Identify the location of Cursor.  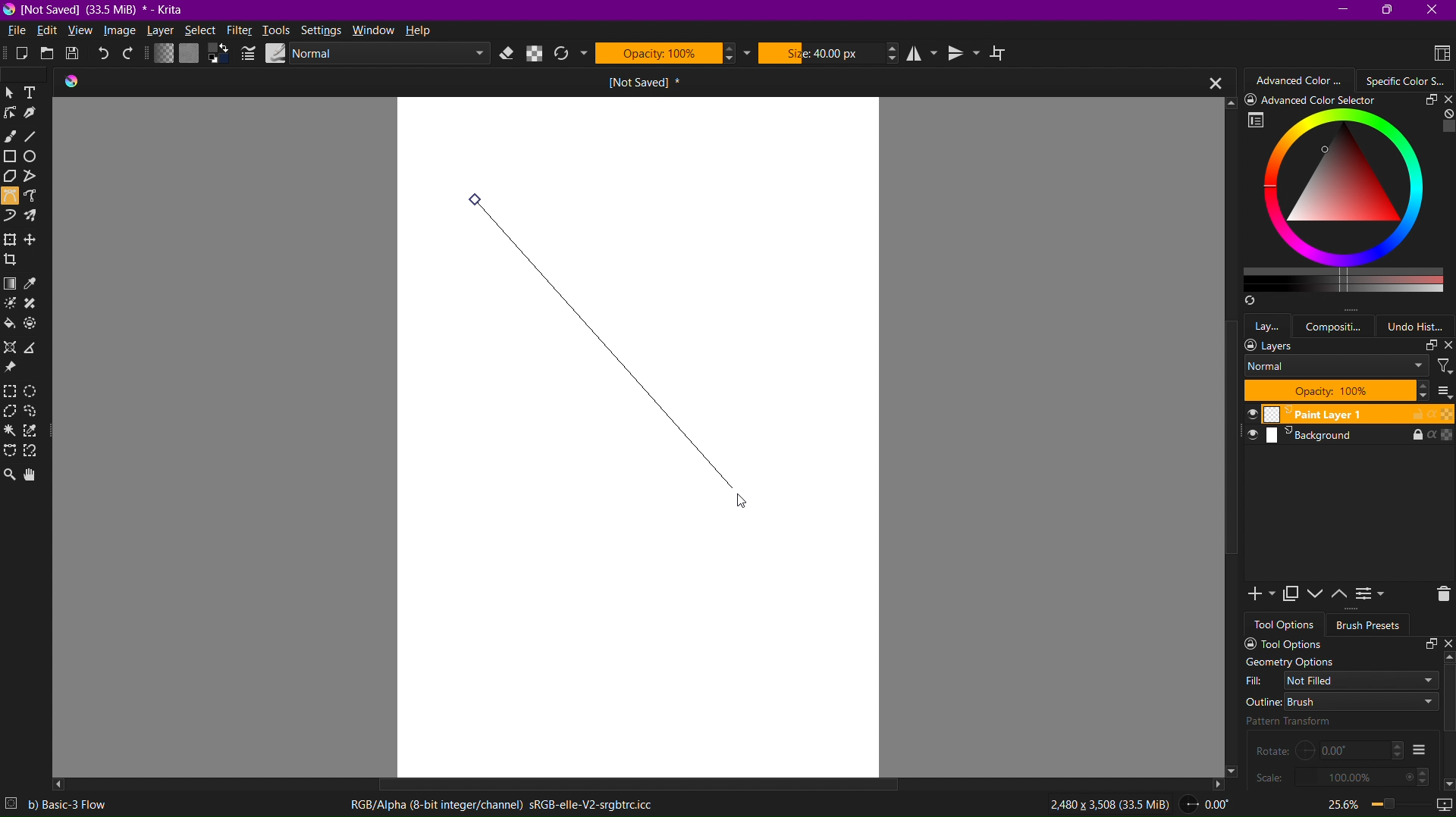
(751, 503).